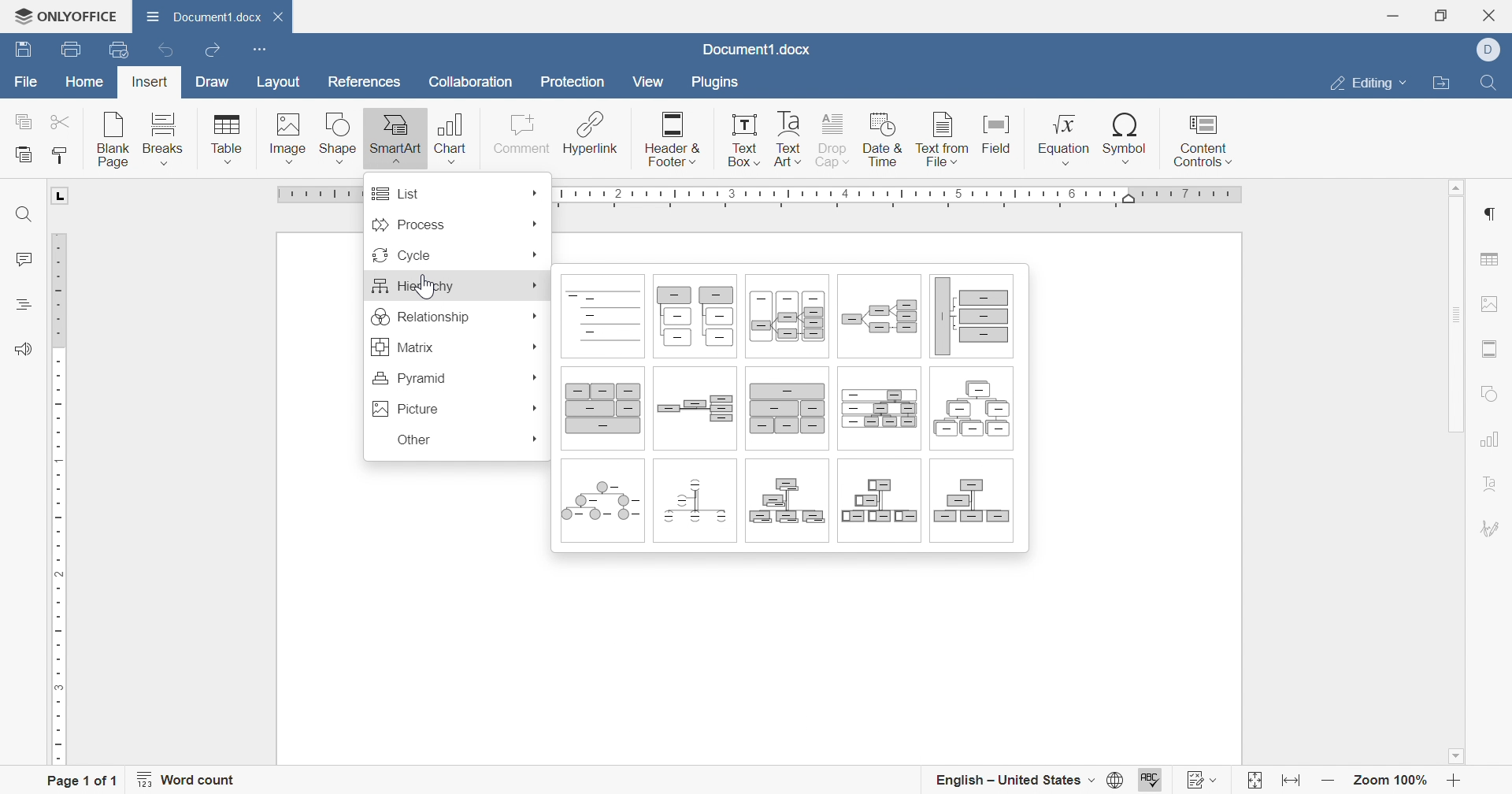  Describe the element at coordinates (717, 84) in the screenshot. I see `Plugins` at that location.